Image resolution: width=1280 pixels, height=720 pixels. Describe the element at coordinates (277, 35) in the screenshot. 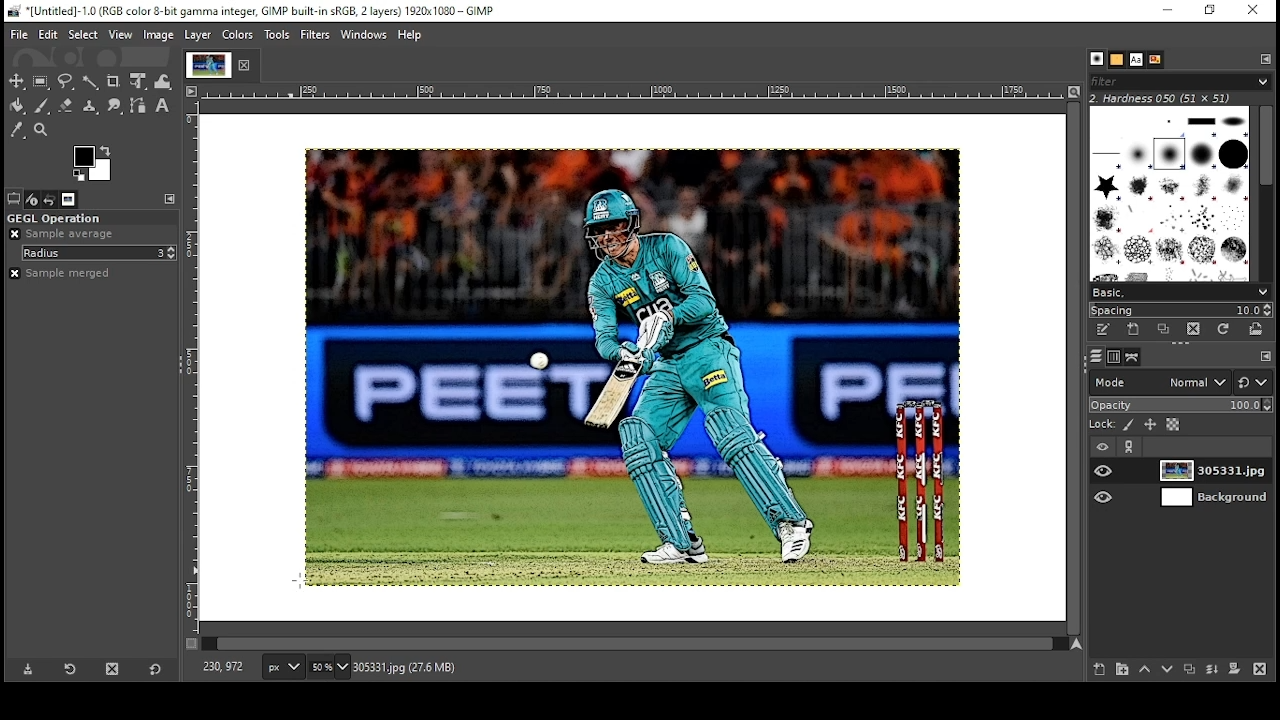

I see `tools` at that location.